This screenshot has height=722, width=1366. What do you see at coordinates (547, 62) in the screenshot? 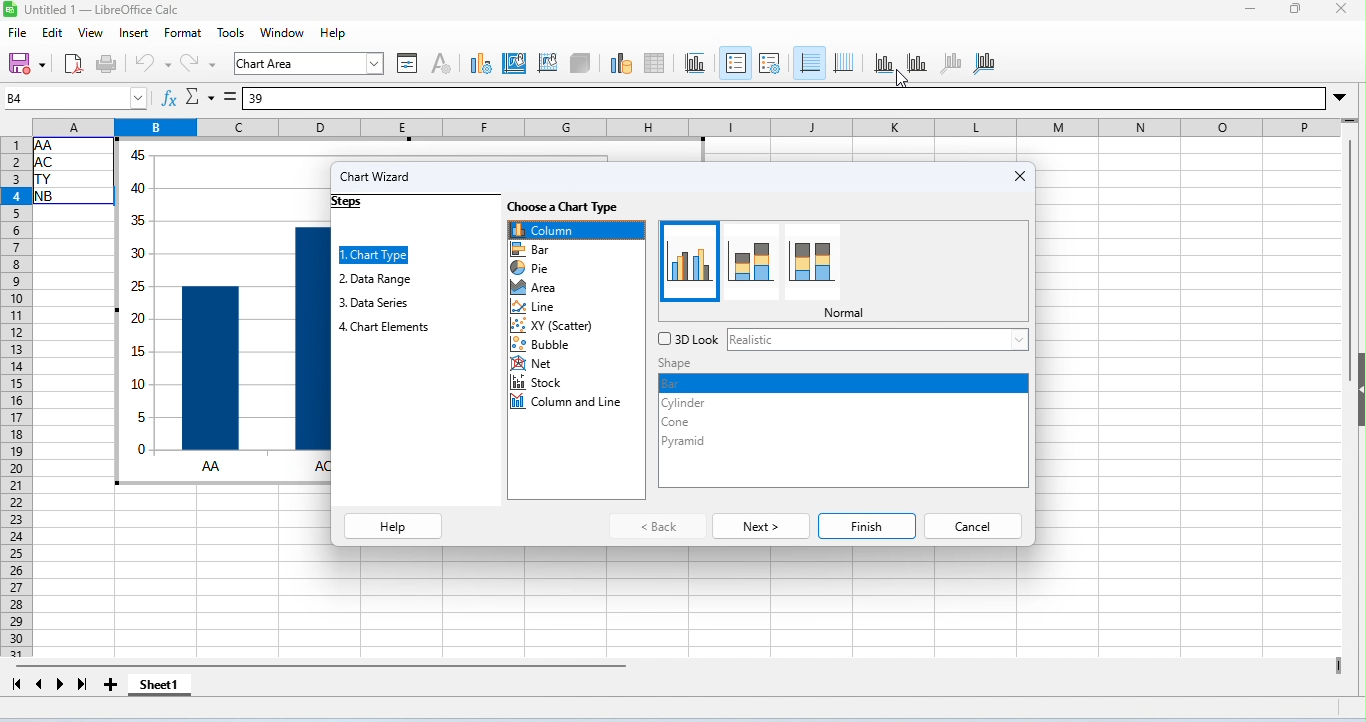
I see `chart wall` at bounding box center [547, 62].